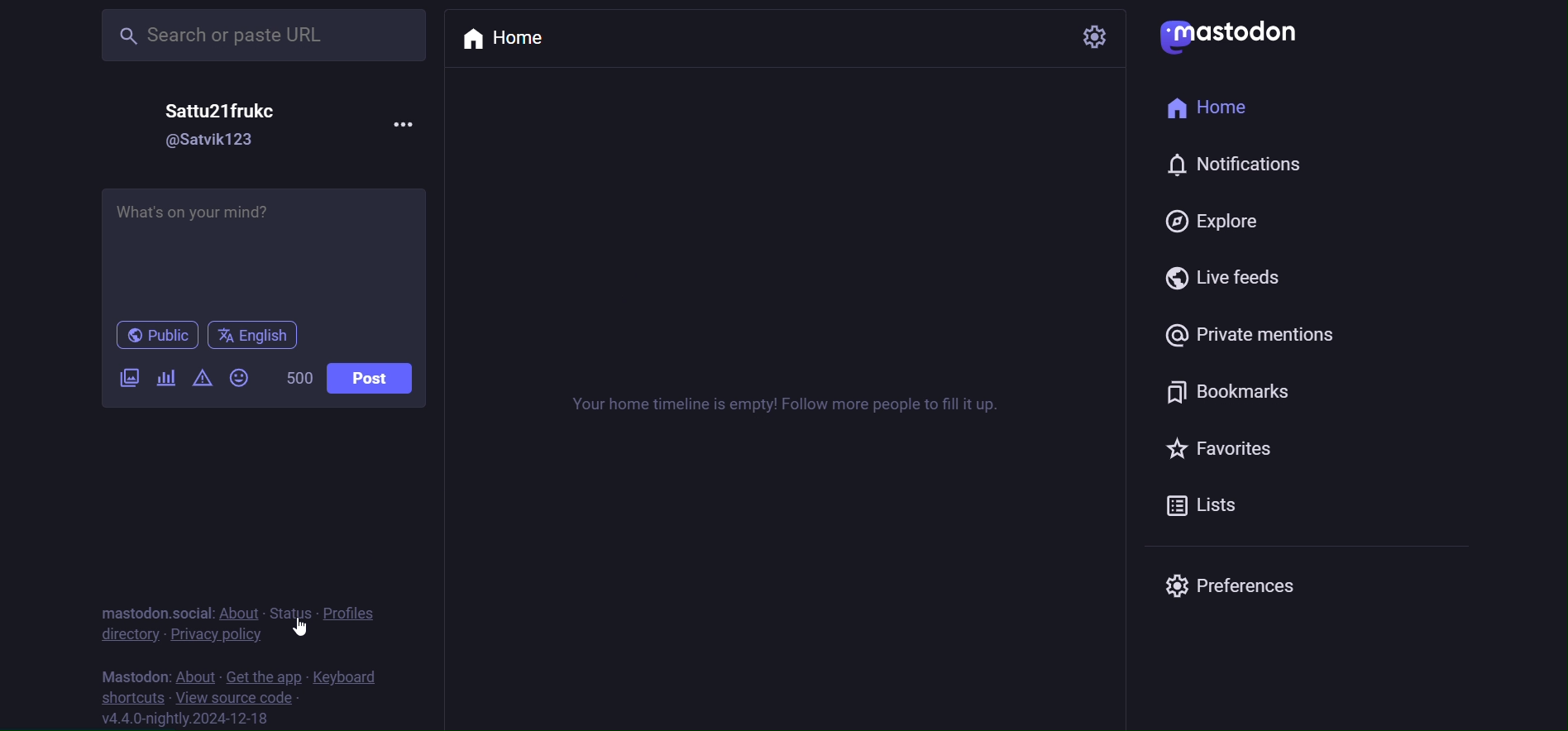 Image resolution: width=1568 pixels, height=731 pixels. What do you see at coordinates (131, 698) in the screenshot?
I see `shortcuts` at bounding box center [131, 698].